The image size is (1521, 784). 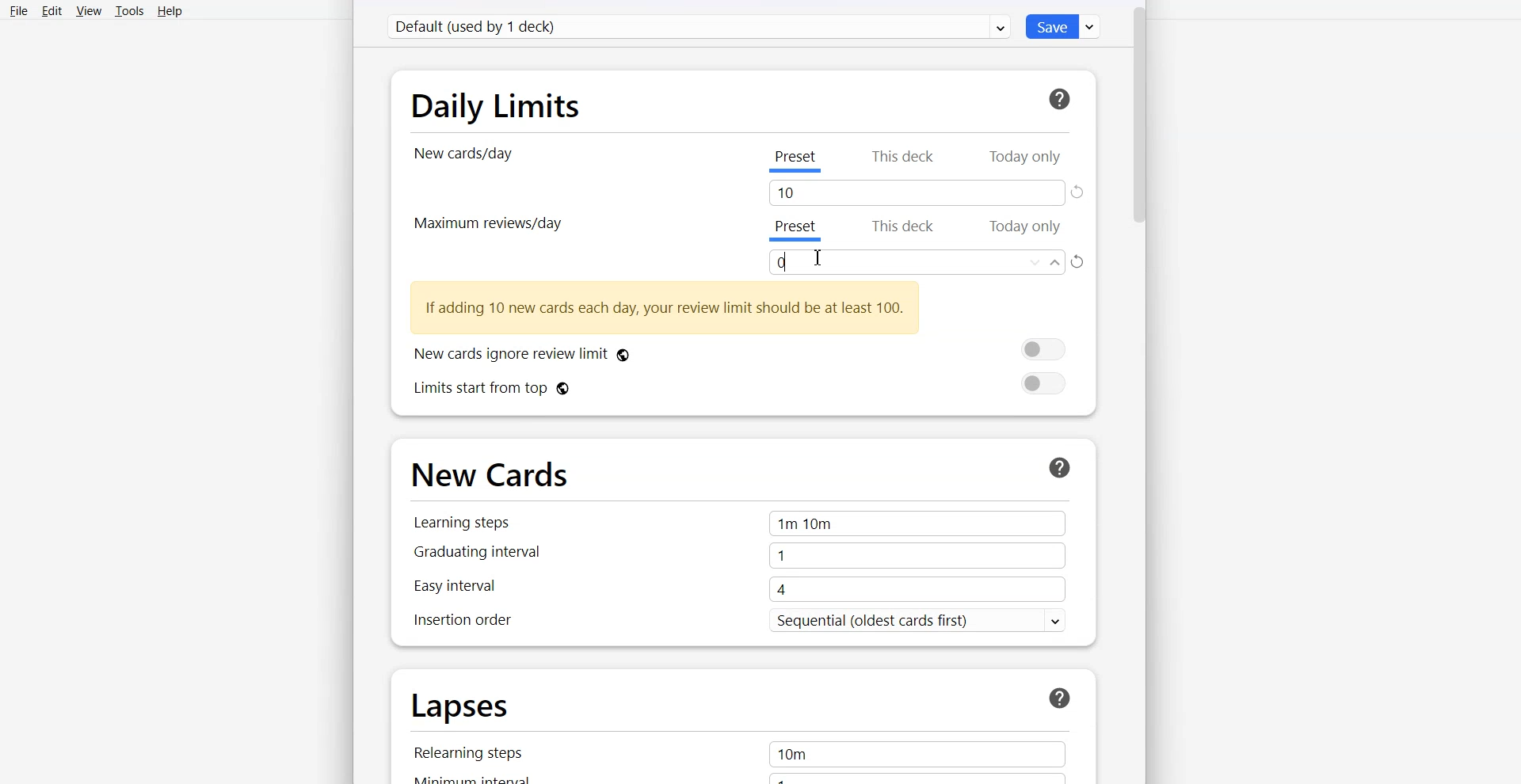 I want to click on New card/day, so click(x=467, y=154).